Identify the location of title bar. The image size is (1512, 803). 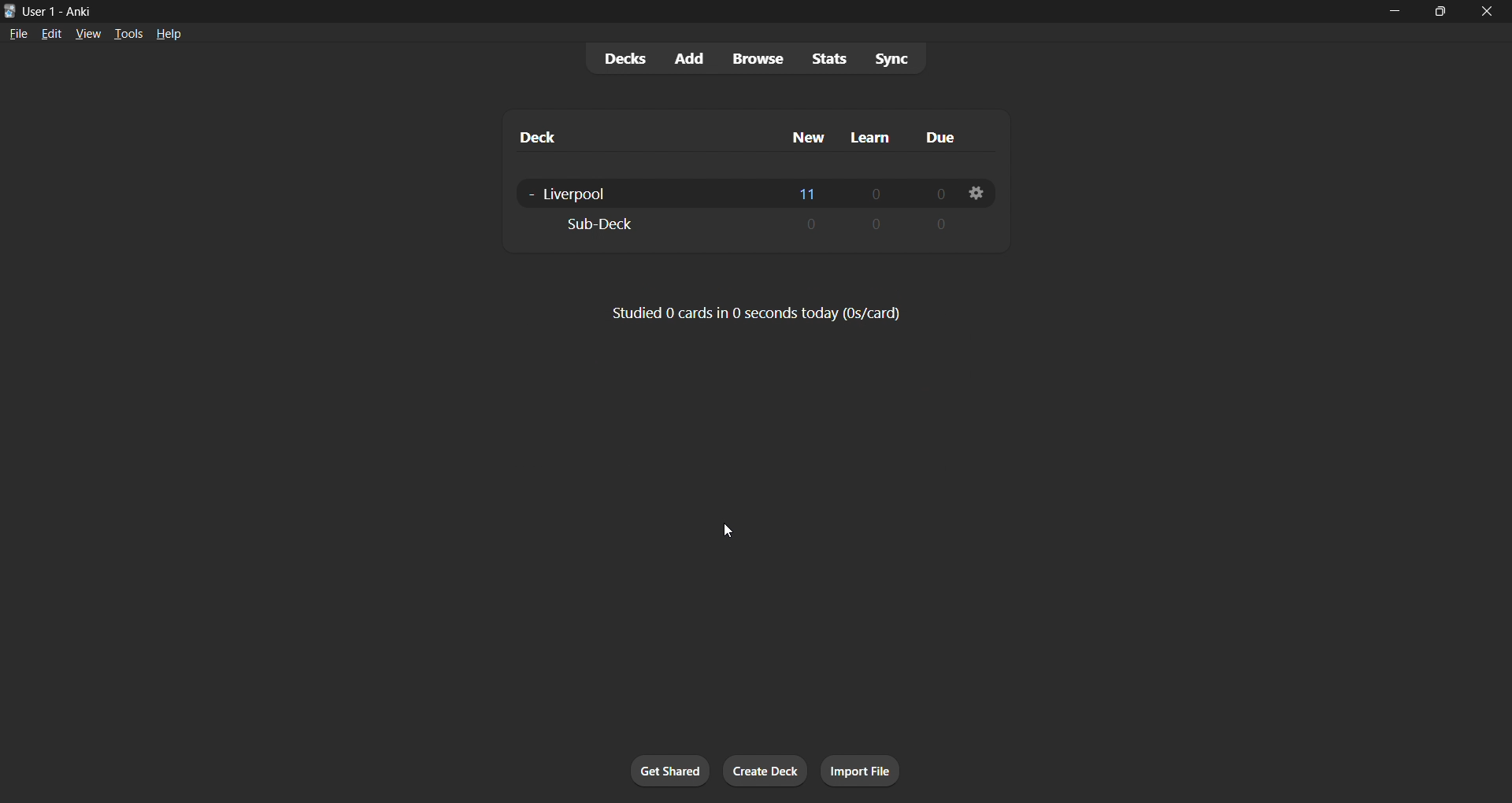
(651, 13).